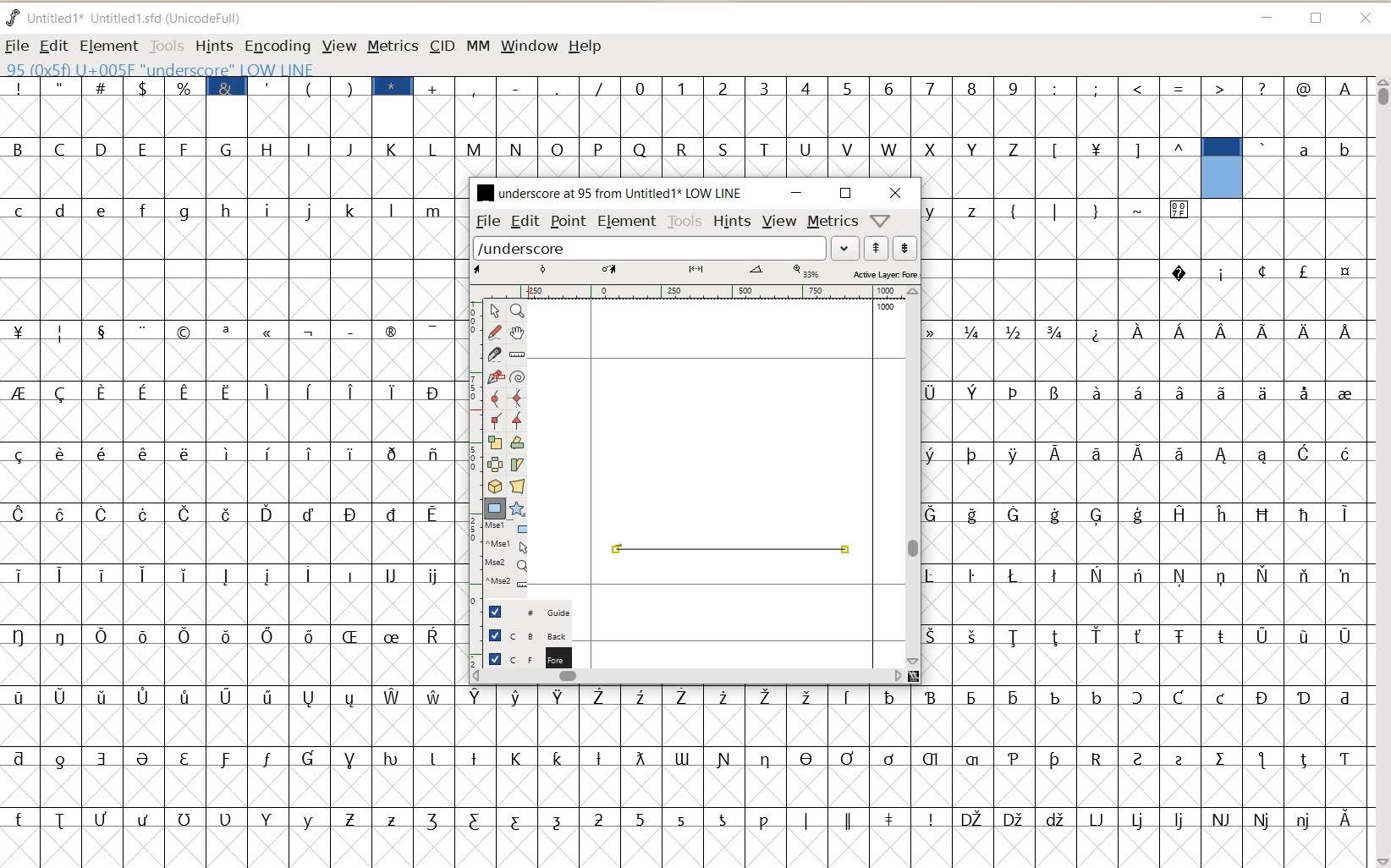 Image resolution: width=1391 pixels, height=868 pixels. What do you see at coordinates (914, 477) in the screenshot?
I see `SCROLLBAR` at bounding box center [914, 477].